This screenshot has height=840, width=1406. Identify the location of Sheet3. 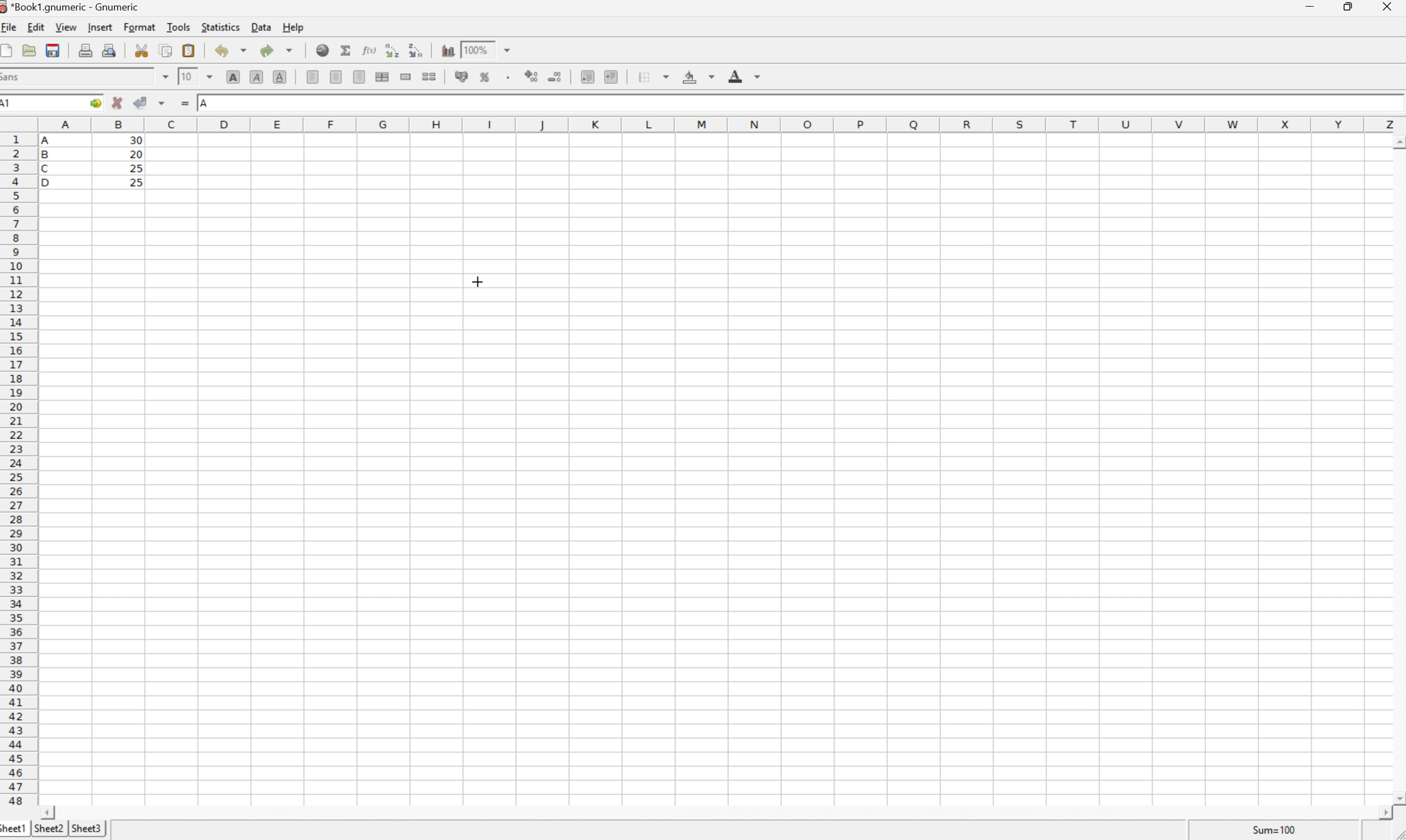
(88, 827).